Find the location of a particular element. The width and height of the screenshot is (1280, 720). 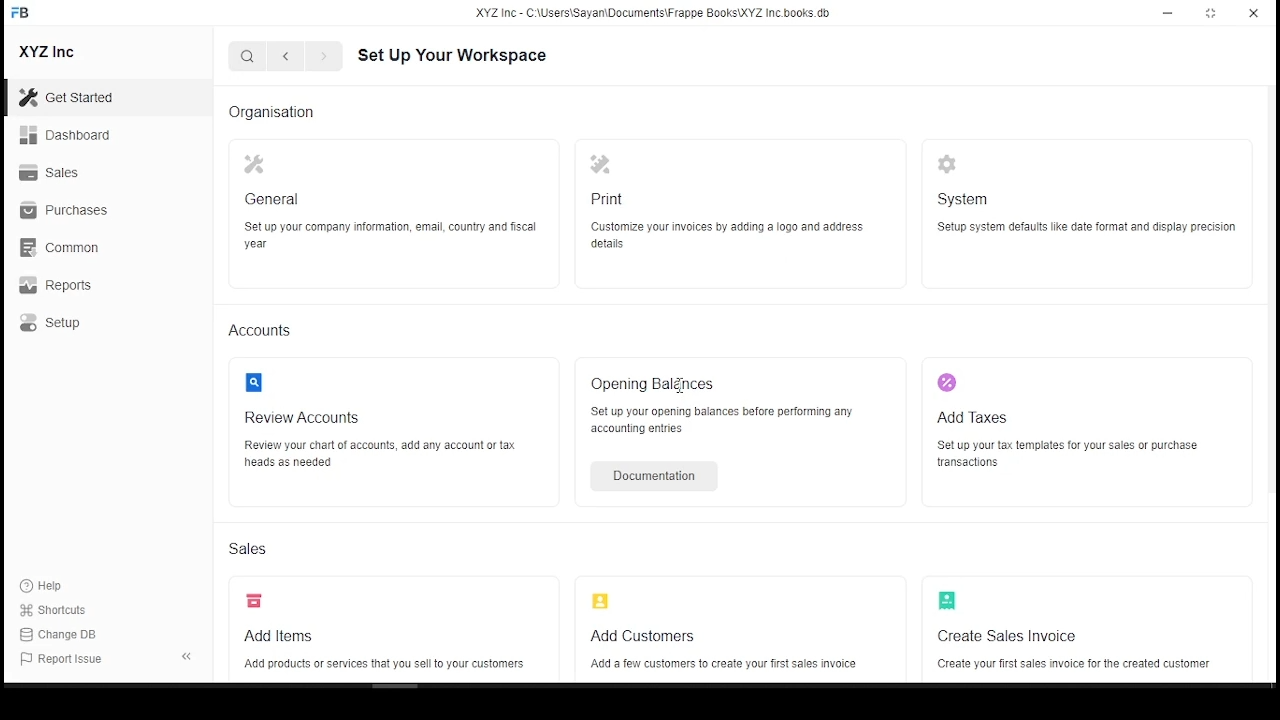

logo is located at coordinates (255, 164).